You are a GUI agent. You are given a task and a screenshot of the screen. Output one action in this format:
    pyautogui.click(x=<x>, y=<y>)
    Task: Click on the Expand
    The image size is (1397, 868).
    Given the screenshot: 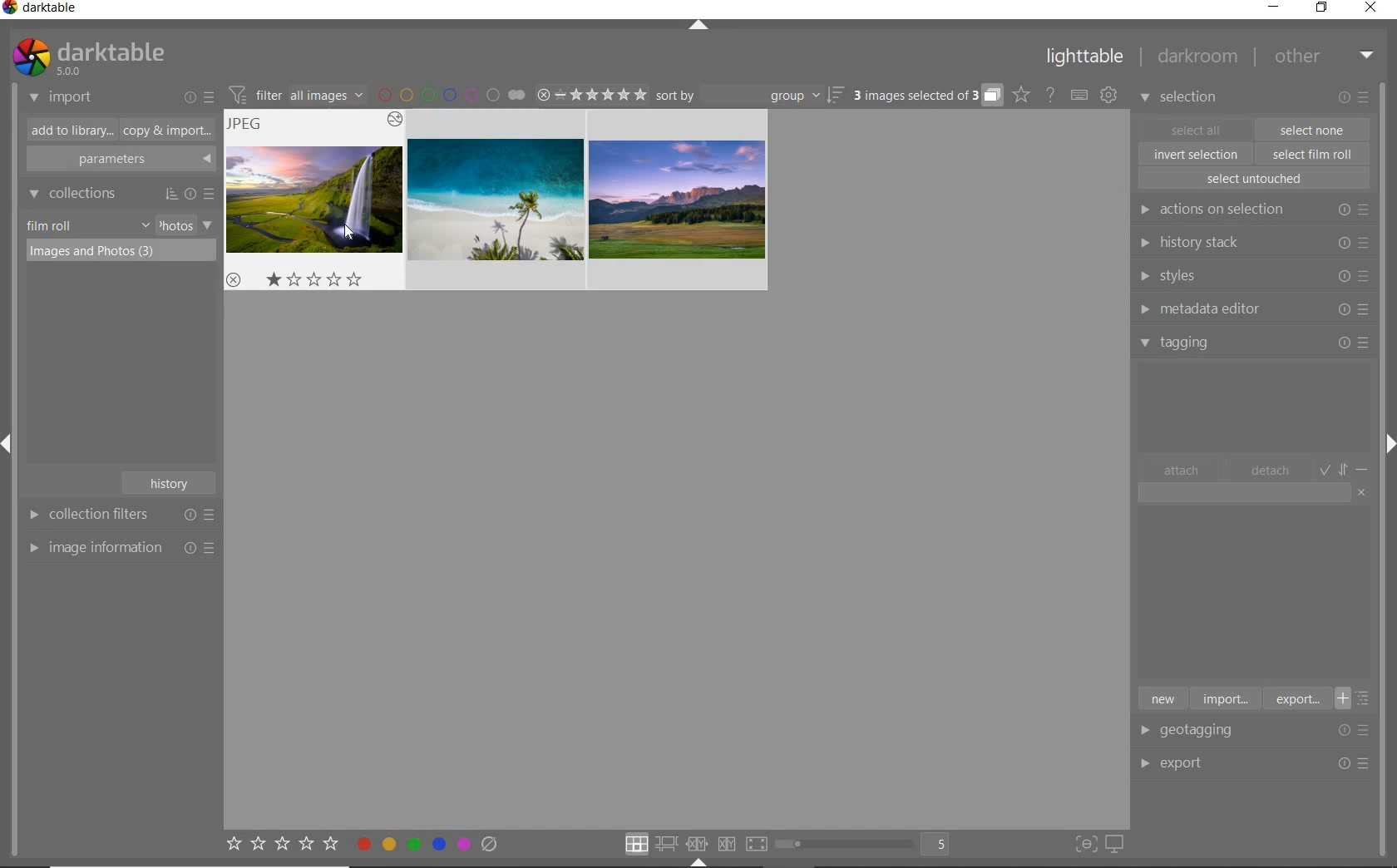 What is the action you would take?
    pyautogui.click(x=13, y=447)
    